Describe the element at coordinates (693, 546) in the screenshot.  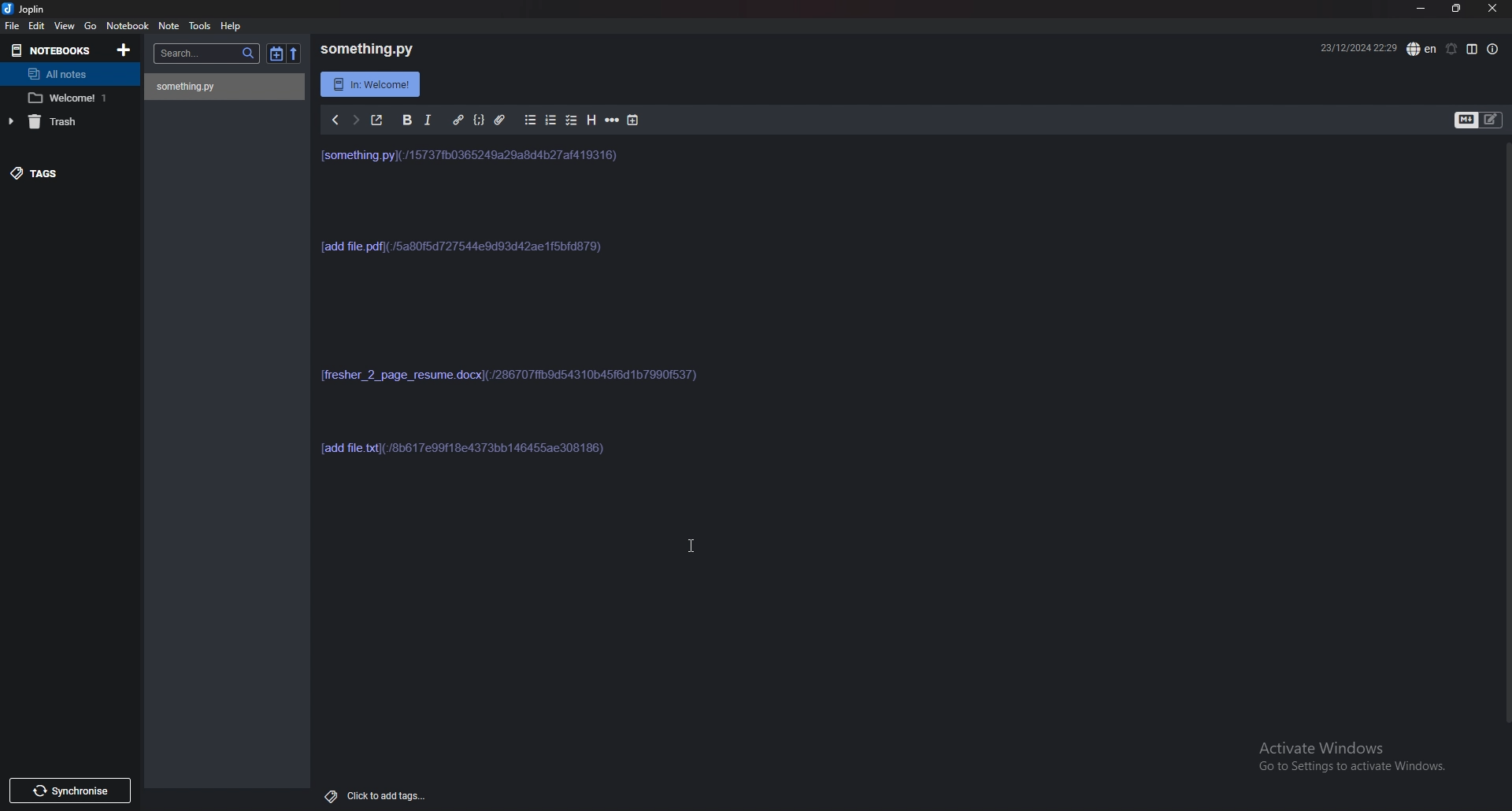
I see `cursor` at that location.